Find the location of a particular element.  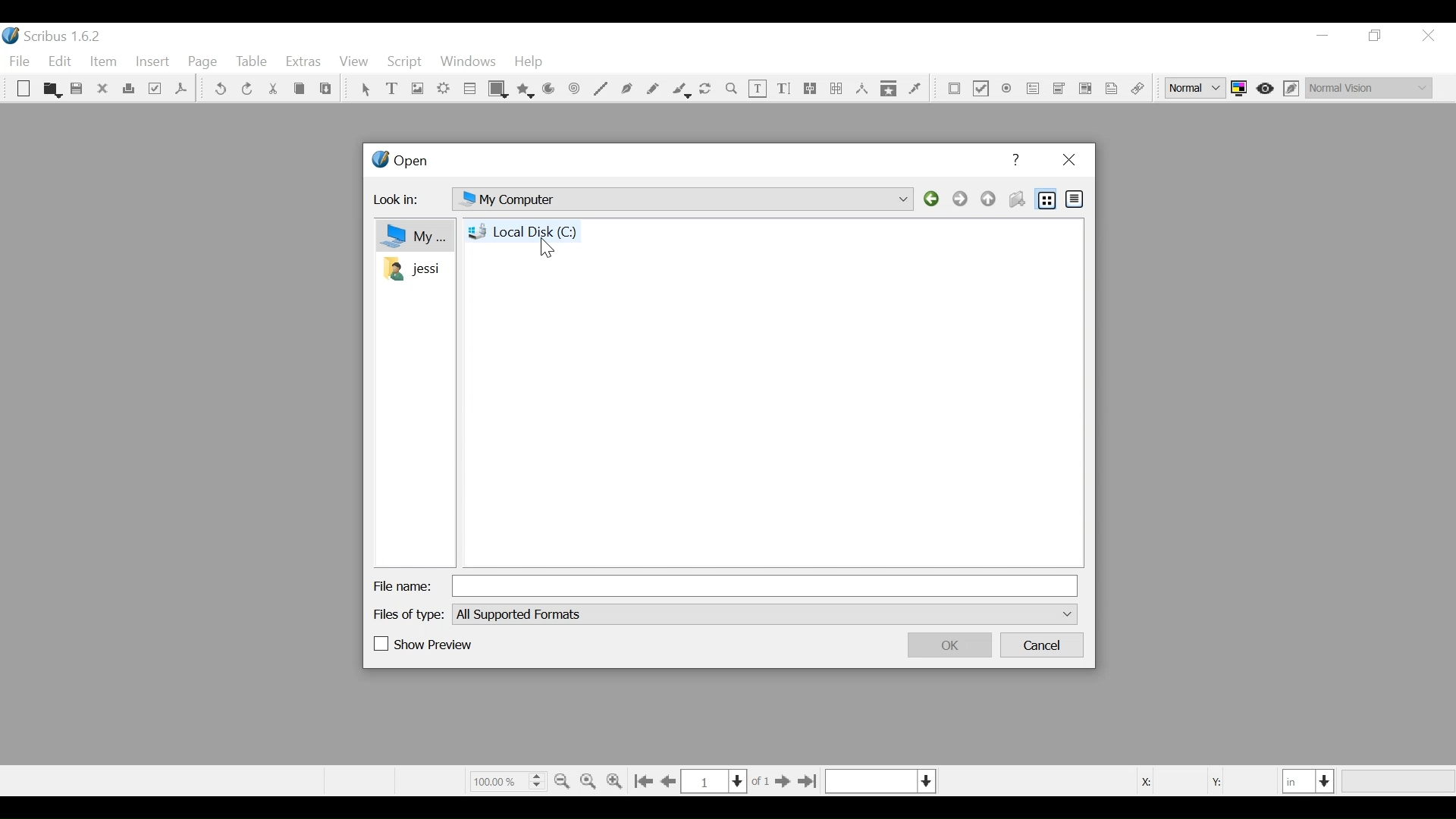

Zoom in is located at coordinates (617, 780).